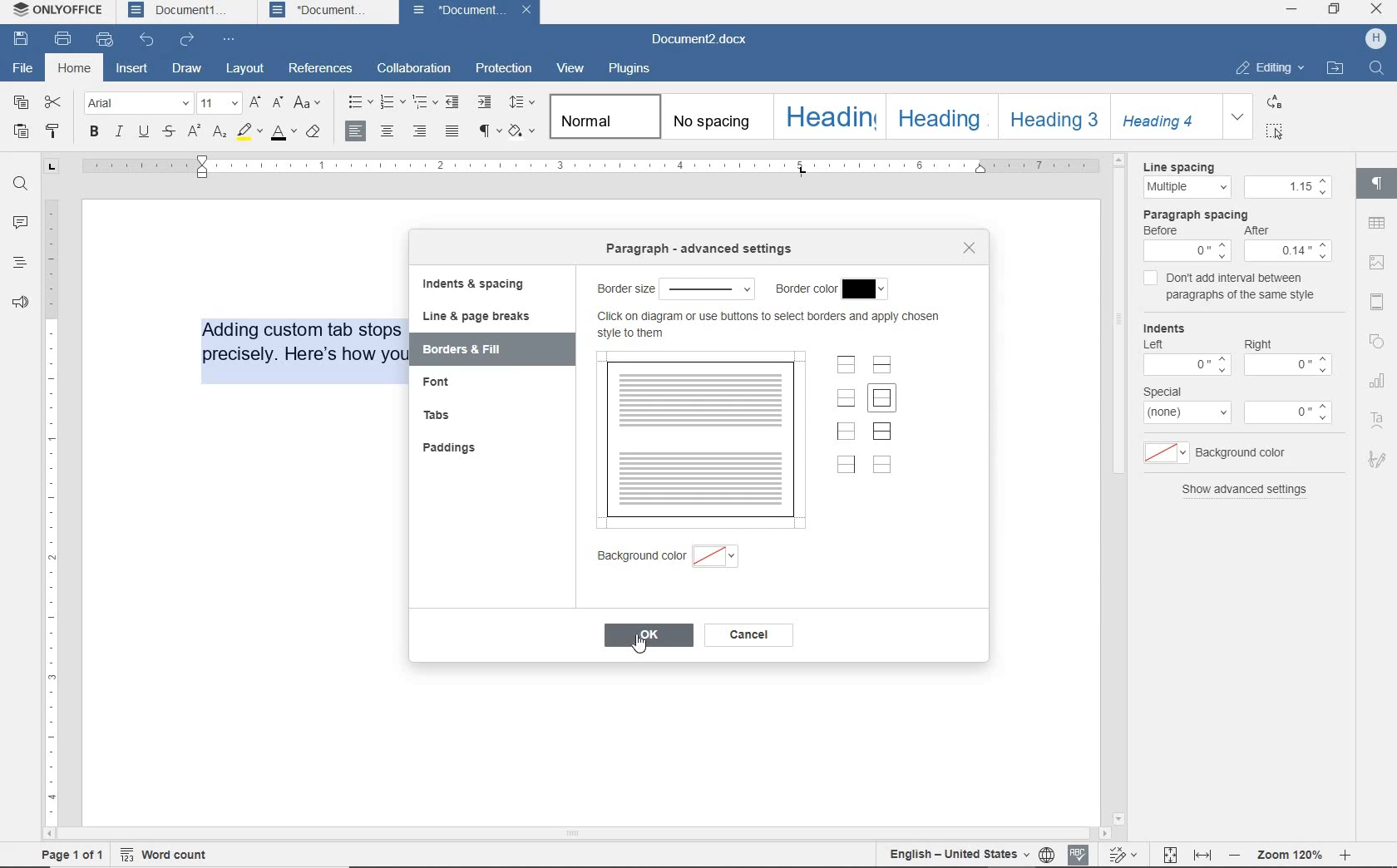 This screenshot has height=868, width=1397. I want to click on ok, so click(649, 638).